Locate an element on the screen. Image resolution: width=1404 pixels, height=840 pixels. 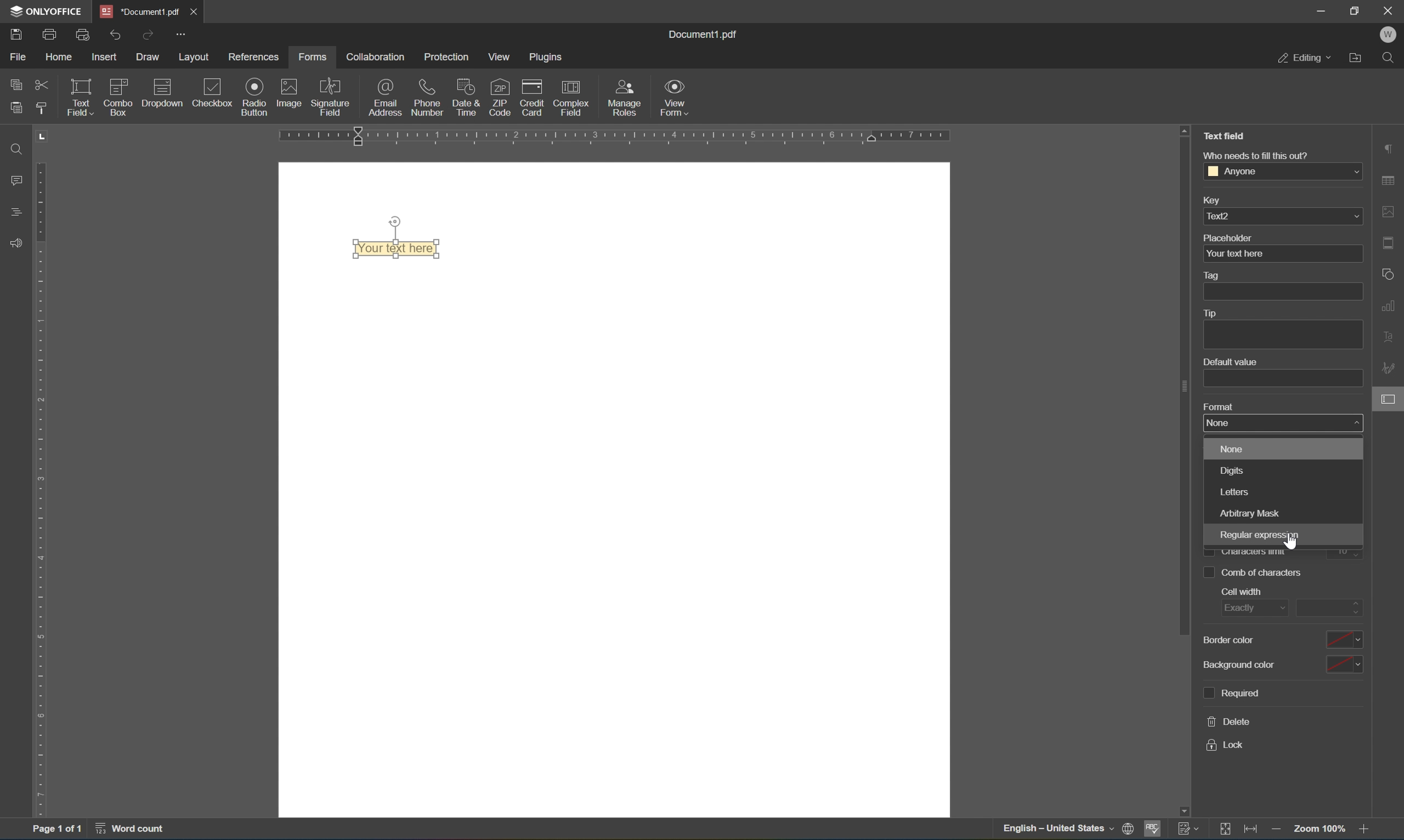
comments is located at coordinates (13, 182).